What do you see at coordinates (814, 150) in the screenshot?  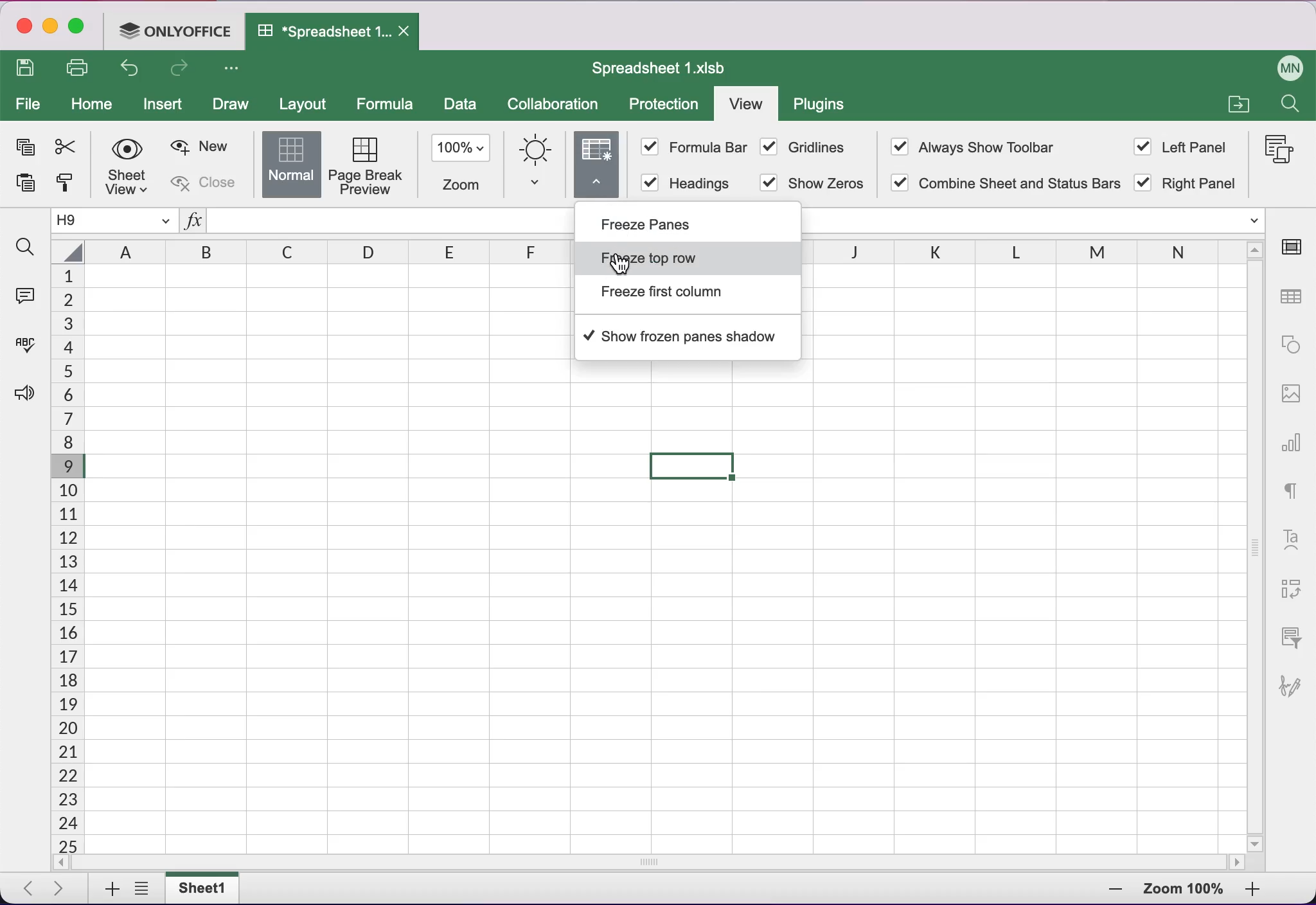 I see `gridlines` at bounding box center [814, 150].